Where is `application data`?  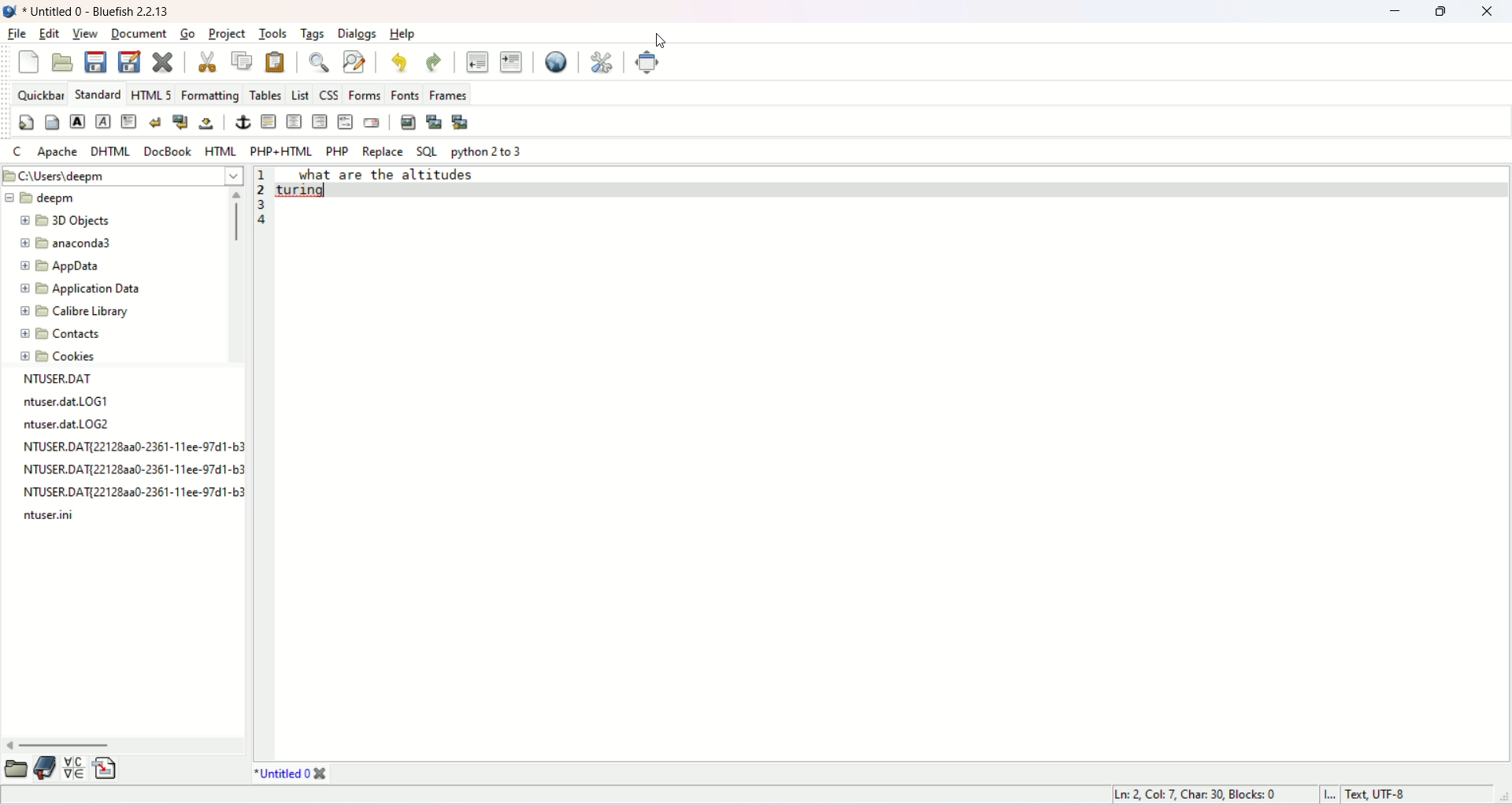
application data is located at coordinates (83, 289).